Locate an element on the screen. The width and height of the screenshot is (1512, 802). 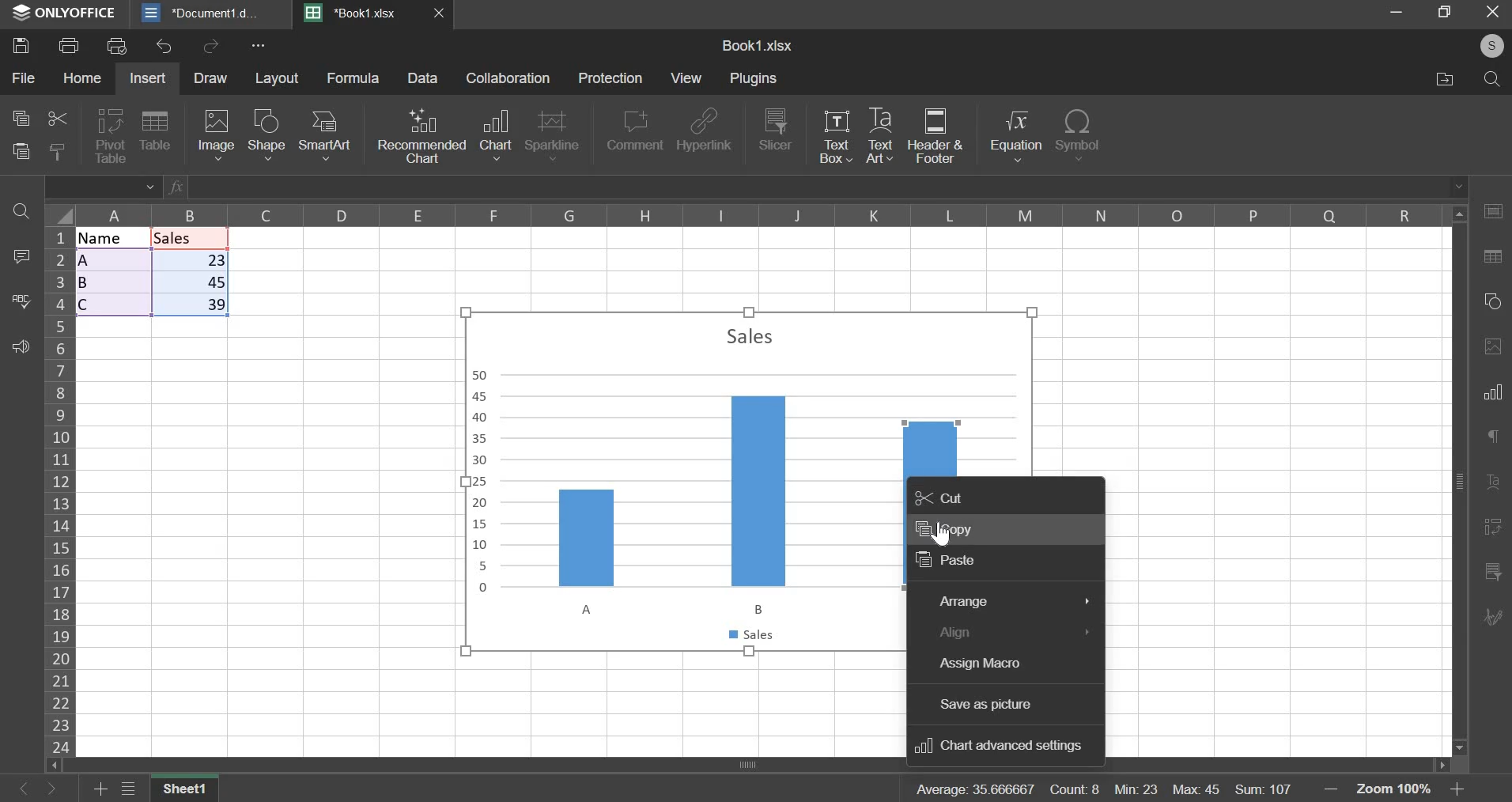
Data is located at coordinates (424, 78).